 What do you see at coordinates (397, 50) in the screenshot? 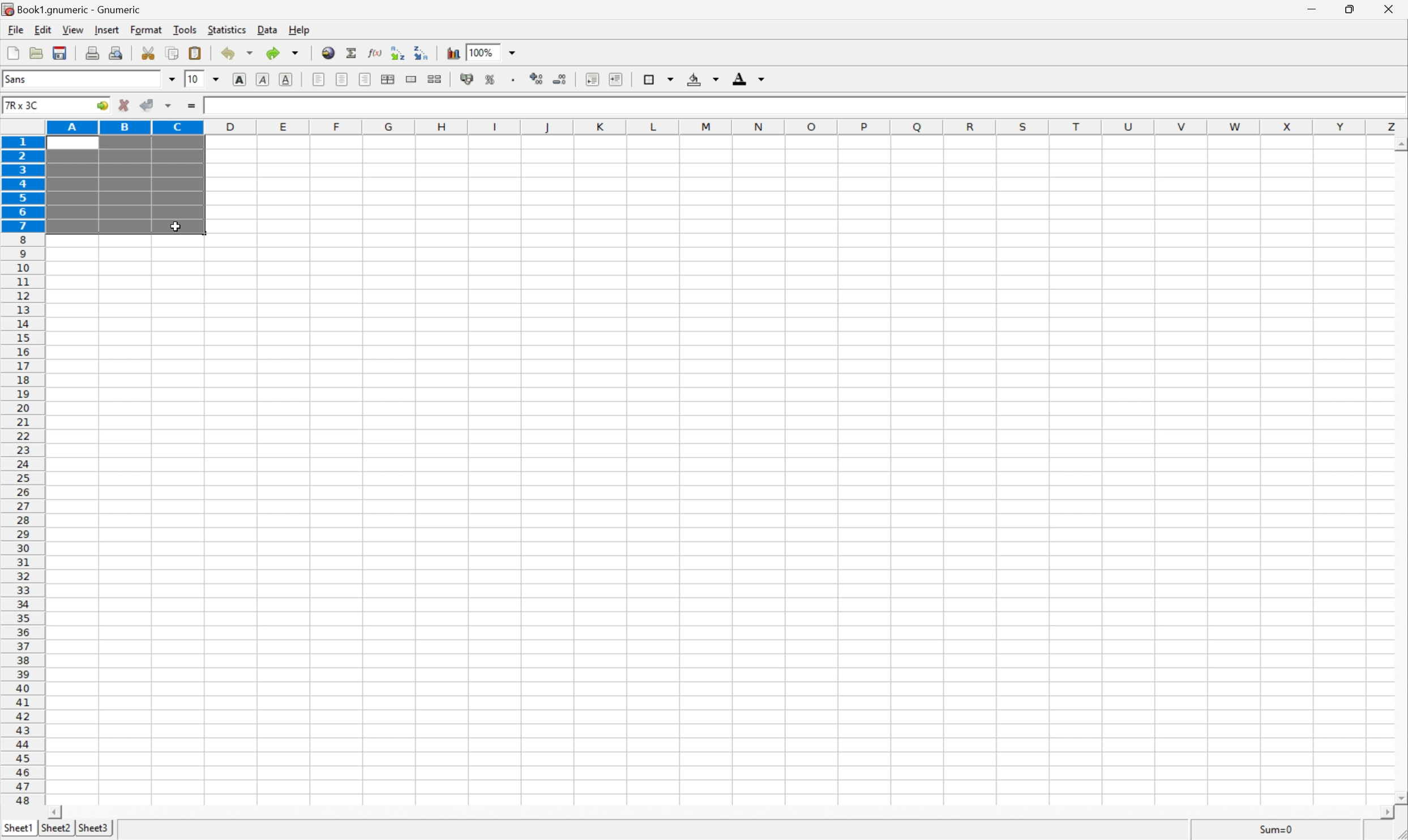
I see `Sort the selected region in ascending order based on the first column selected` at bounding box center [397, 50].